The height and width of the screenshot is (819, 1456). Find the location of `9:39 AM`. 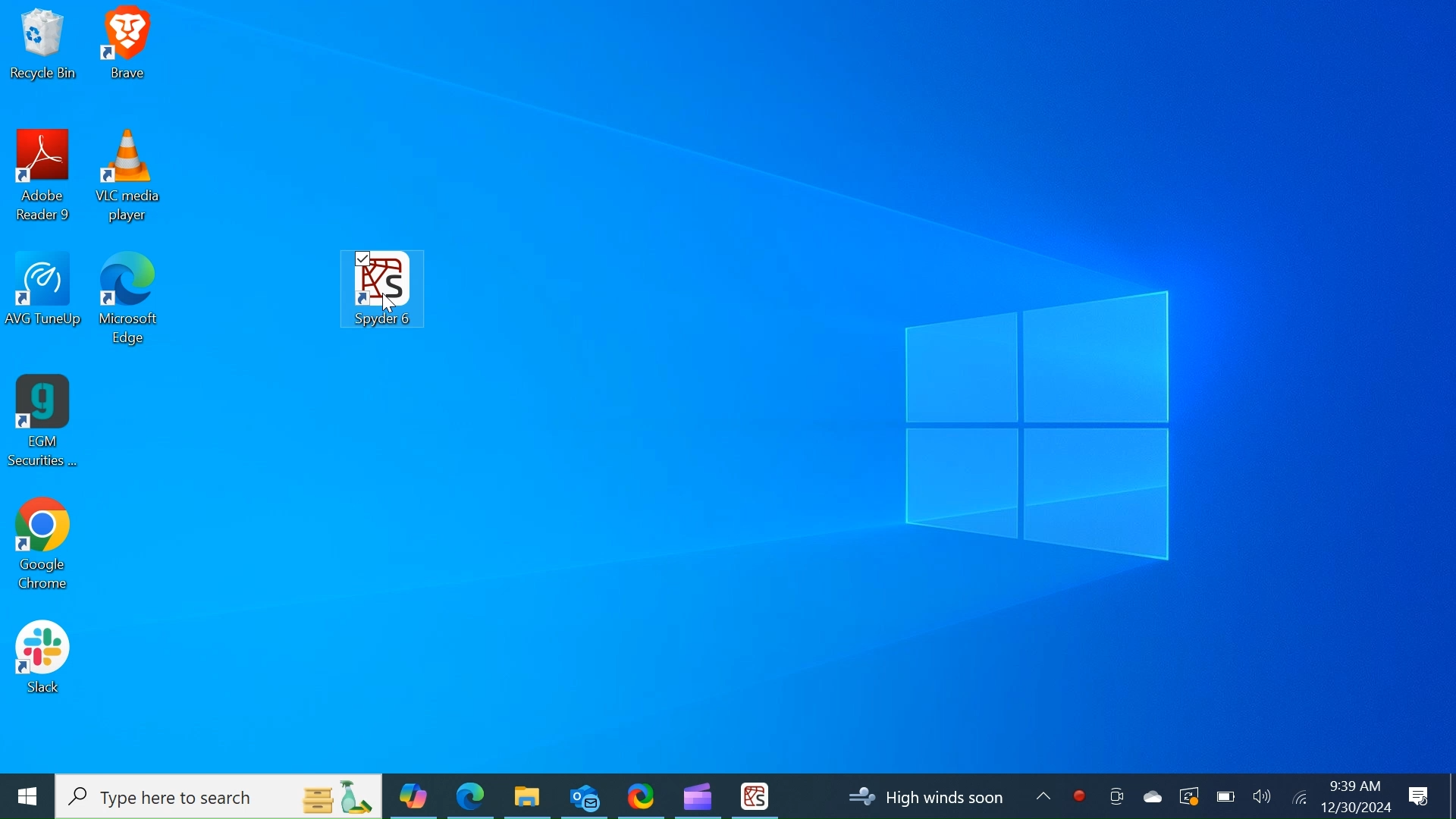

9:39 AM is located at coordinates (1354, 786).